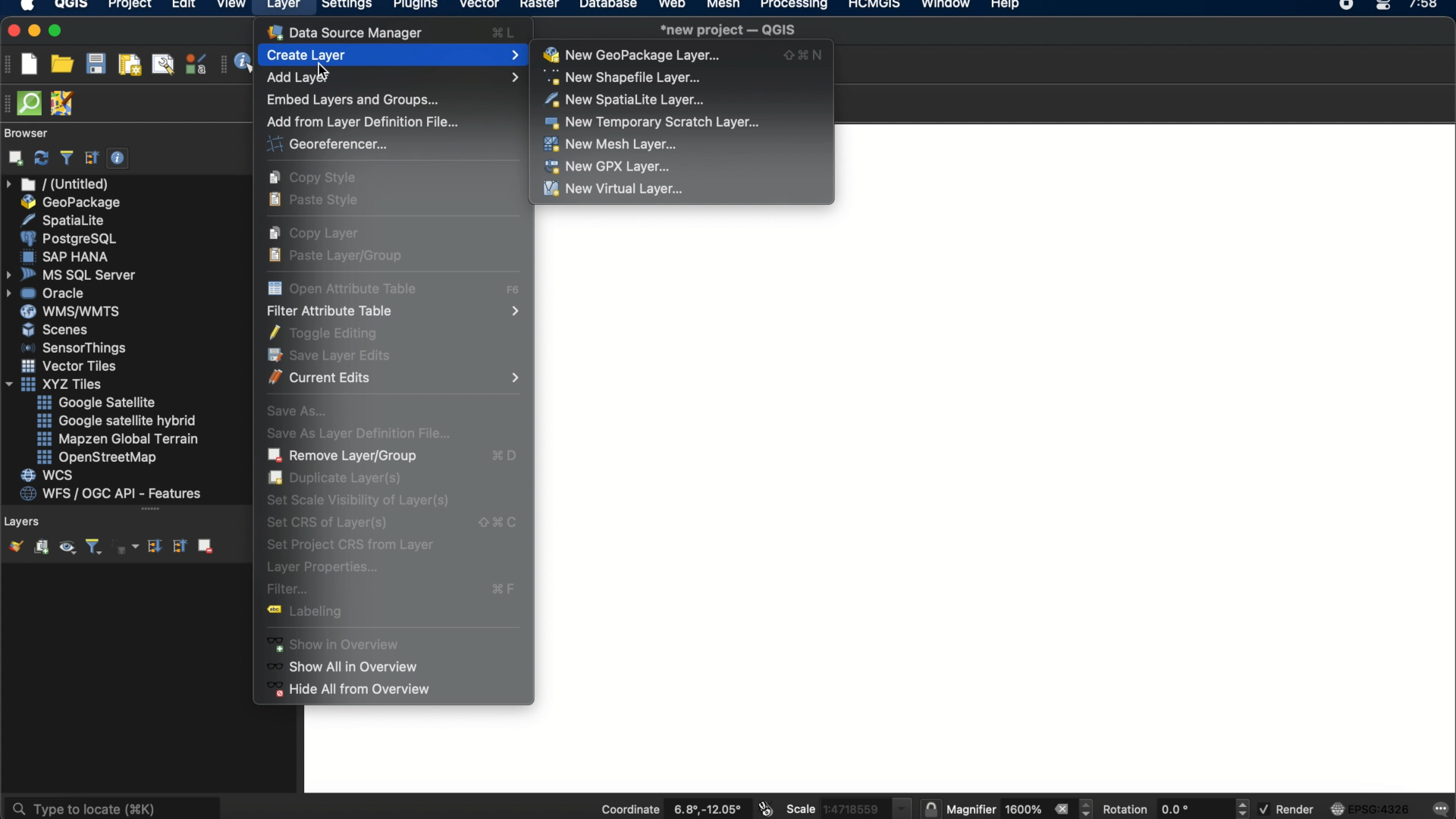 This screenshot has height=819, width=1456. I want to click on add from layer definition file, so click(365, 122).